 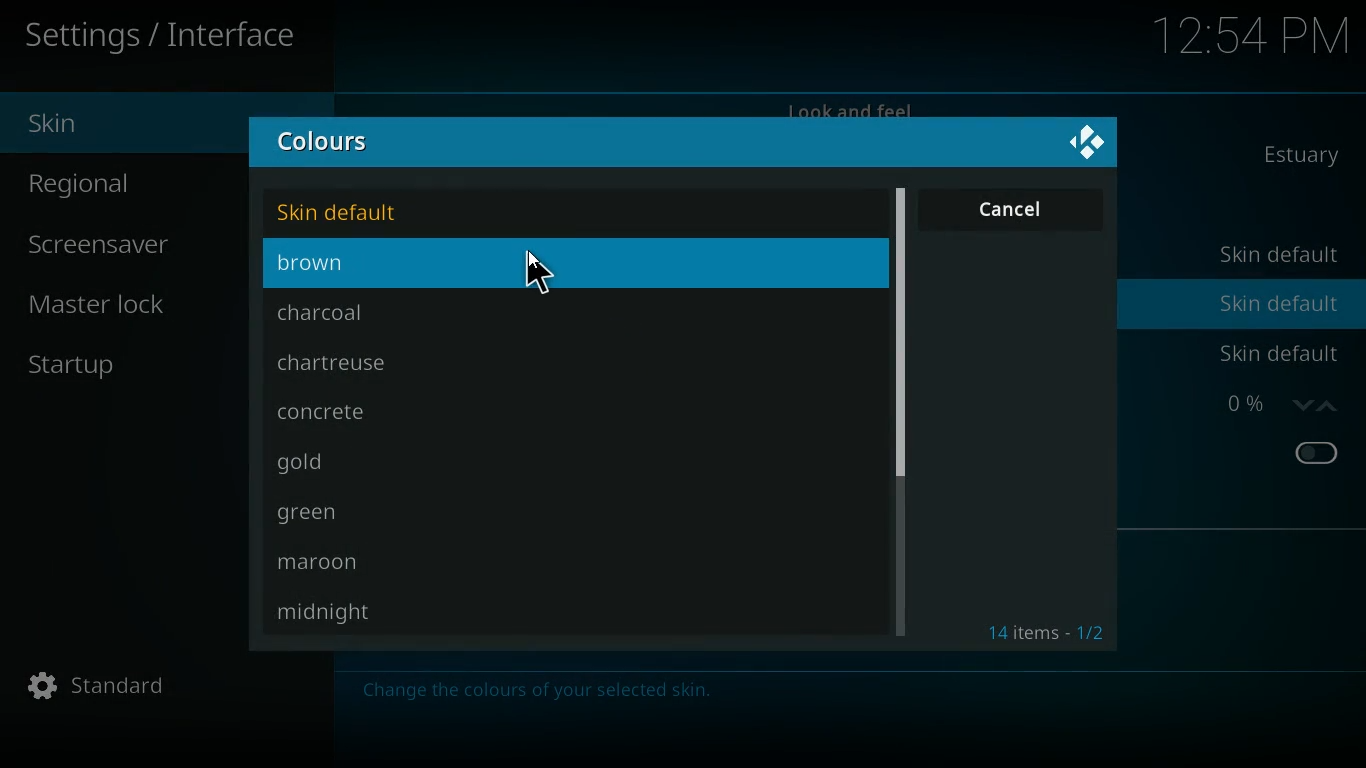 What do you see at coordinates (103, 691) in the screenshot?
I see `standard` at bounding box center [103, 691].